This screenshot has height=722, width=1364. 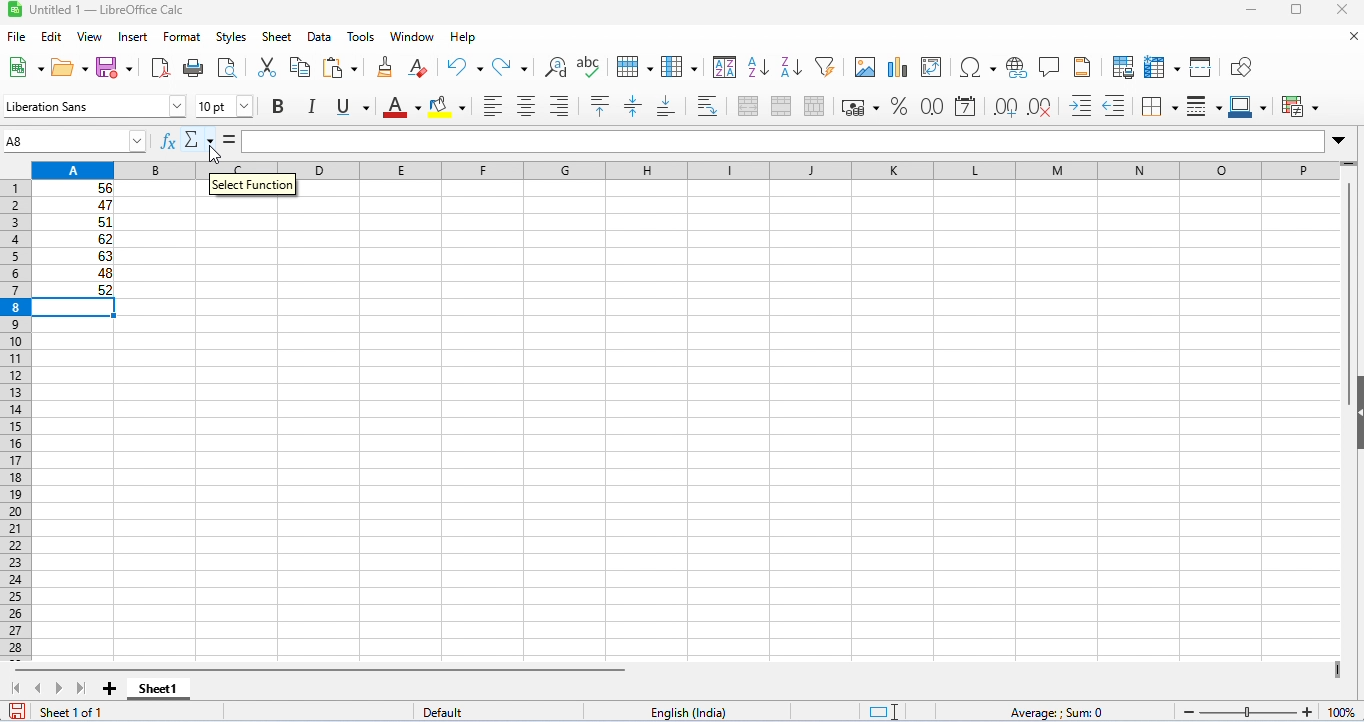 I want to click on close, so click(x=1351, y=37).